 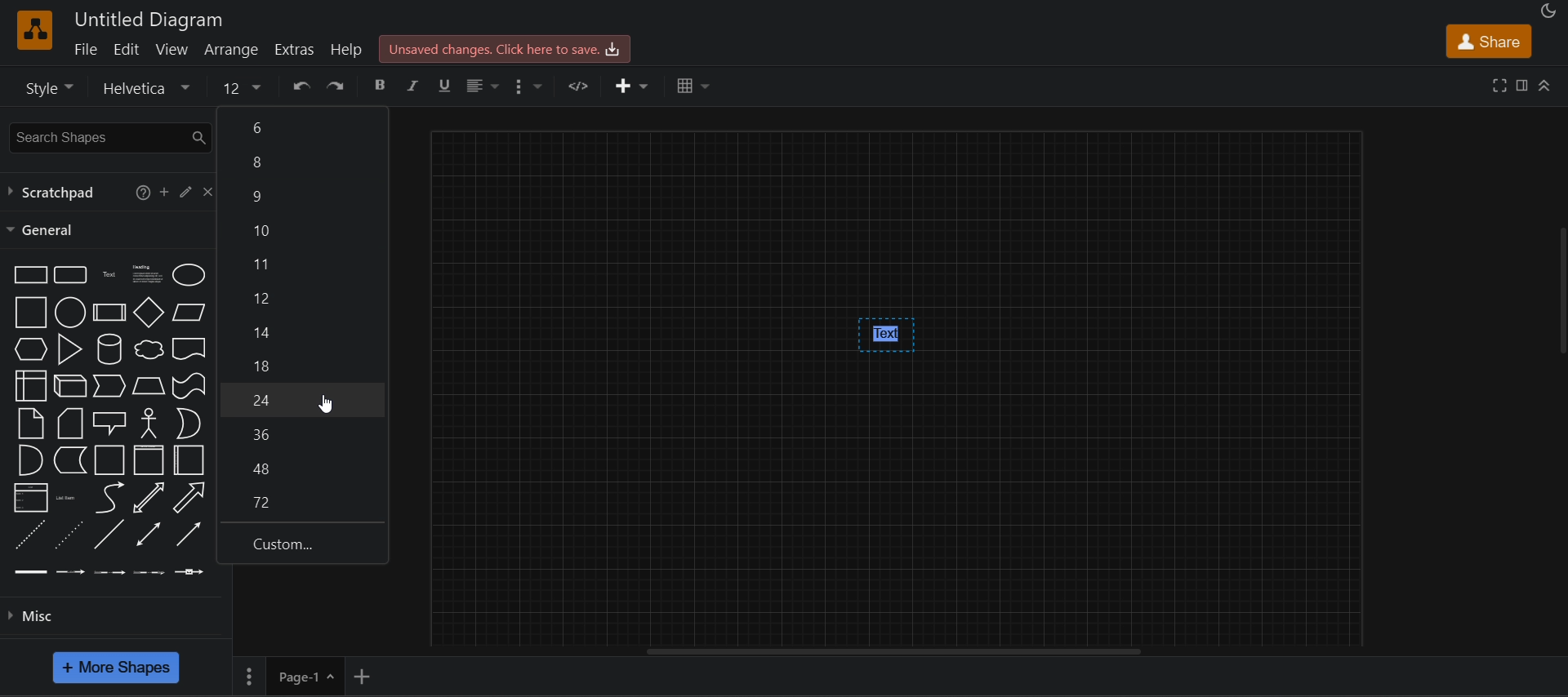 What do you see at coordinates (109, 386) in the screenshot?
I see `Step` at bounding box center [109, 386].